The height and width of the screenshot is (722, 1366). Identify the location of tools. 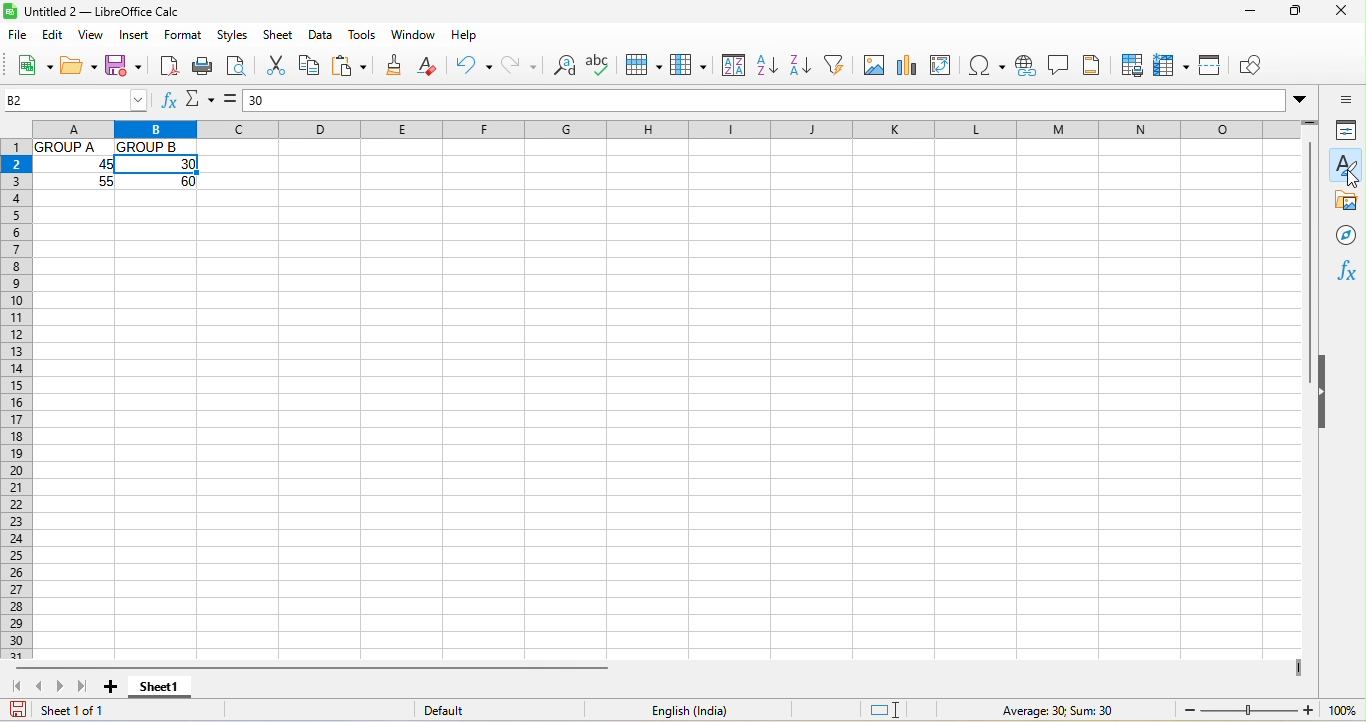
(365, 35).